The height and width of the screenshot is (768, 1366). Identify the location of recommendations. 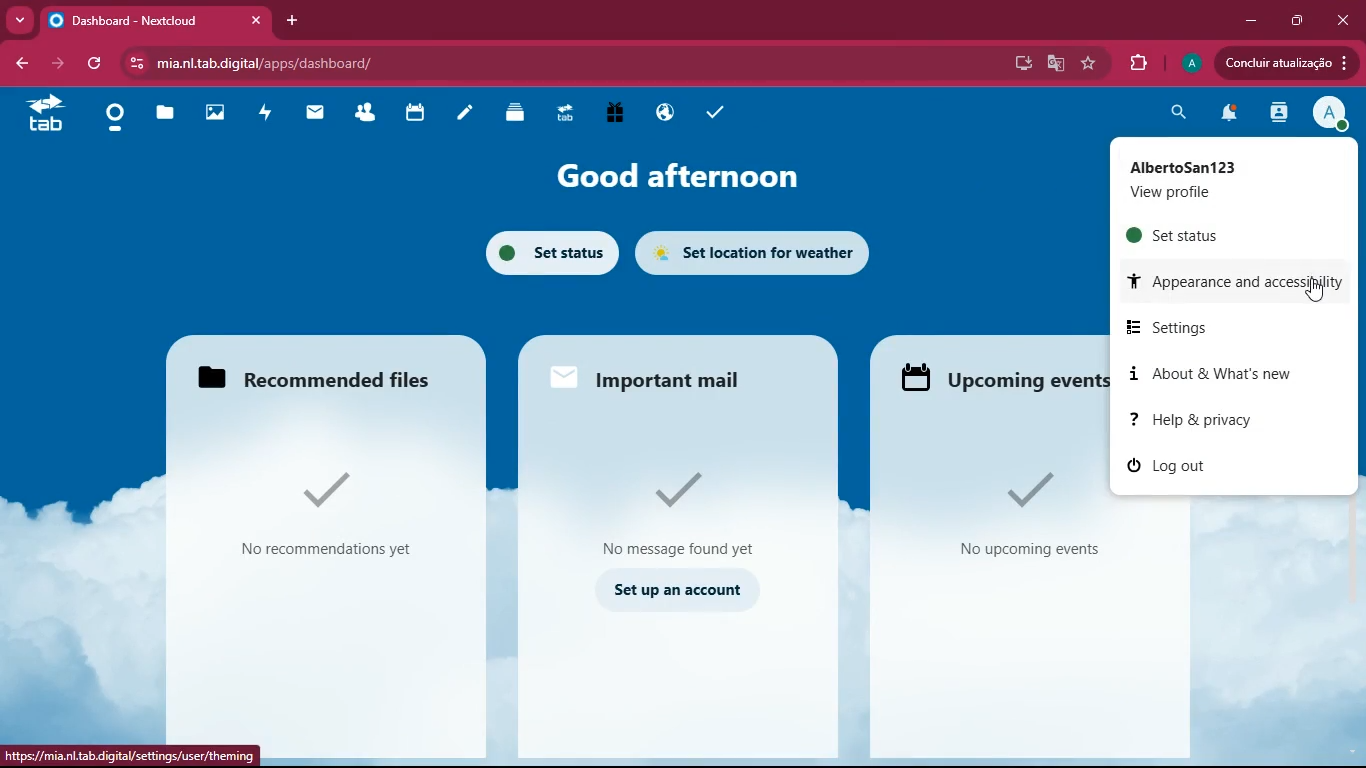
(322, 516).